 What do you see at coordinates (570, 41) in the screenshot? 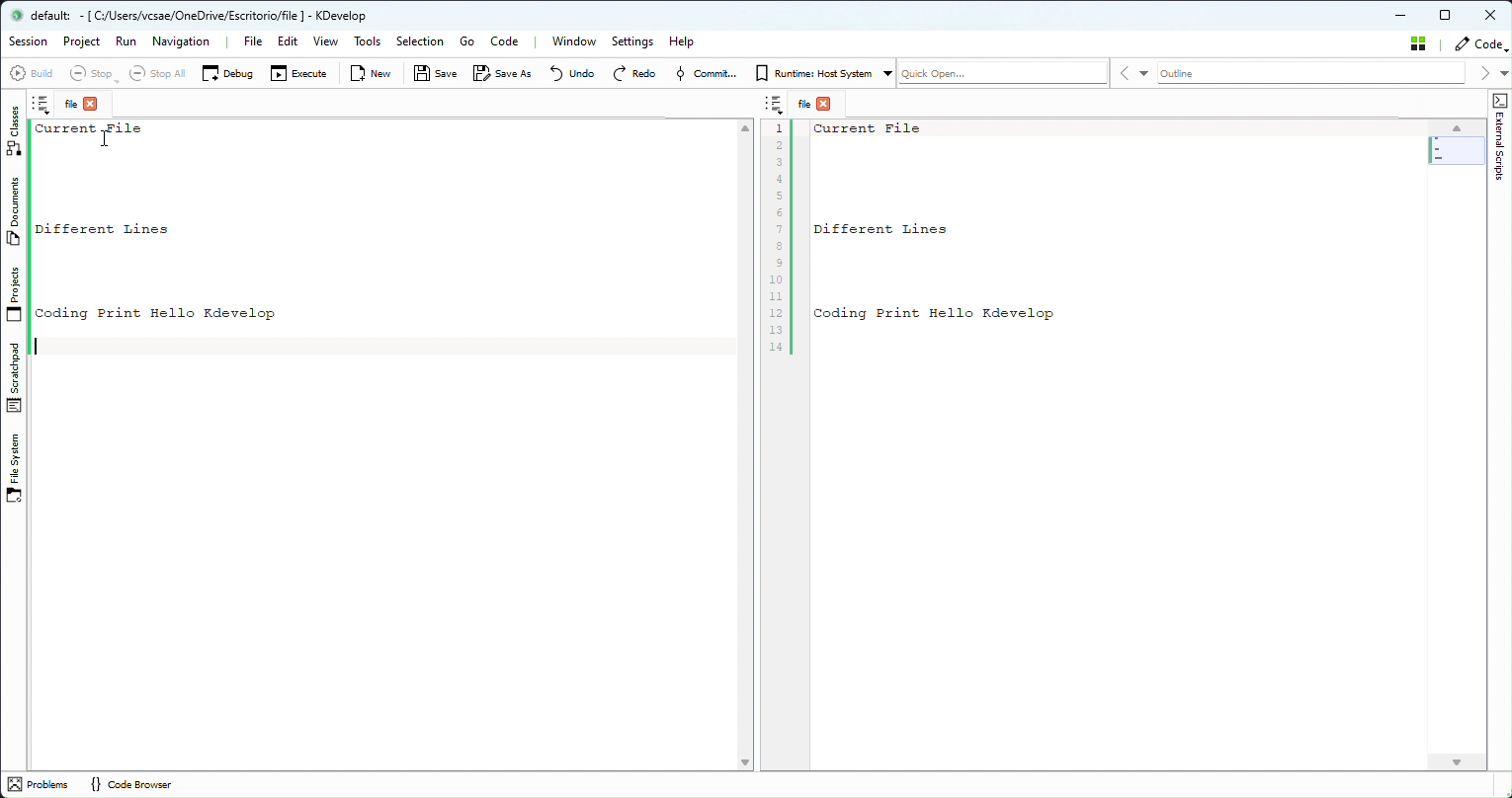
I see `Window` at bounding box center [570, 41].